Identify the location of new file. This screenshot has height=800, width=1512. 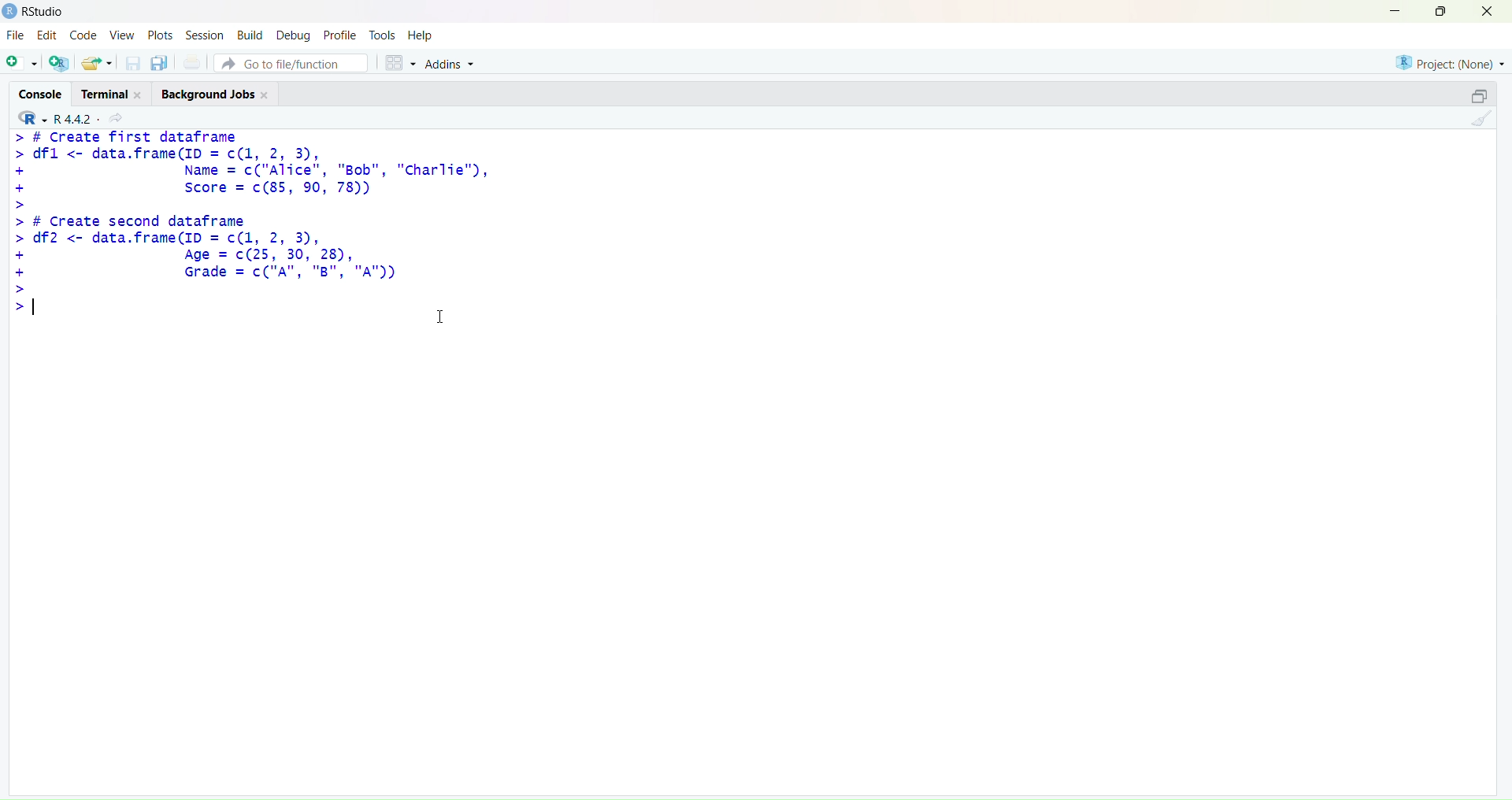
(20, 61).